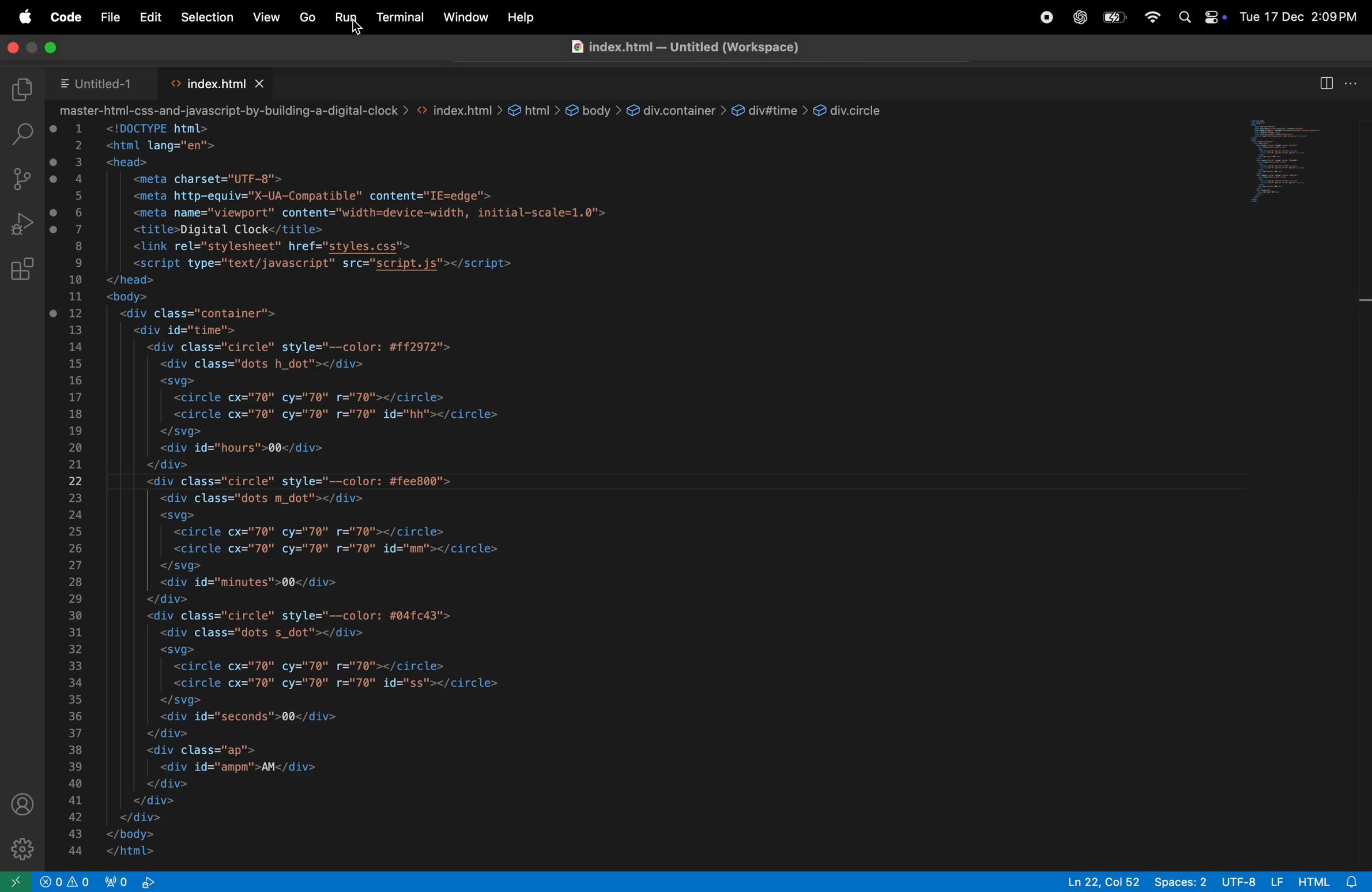 The image size is (1372, 892). Describe the element at coordinates (346, 18) in the screenshot. I see `run` at that location.